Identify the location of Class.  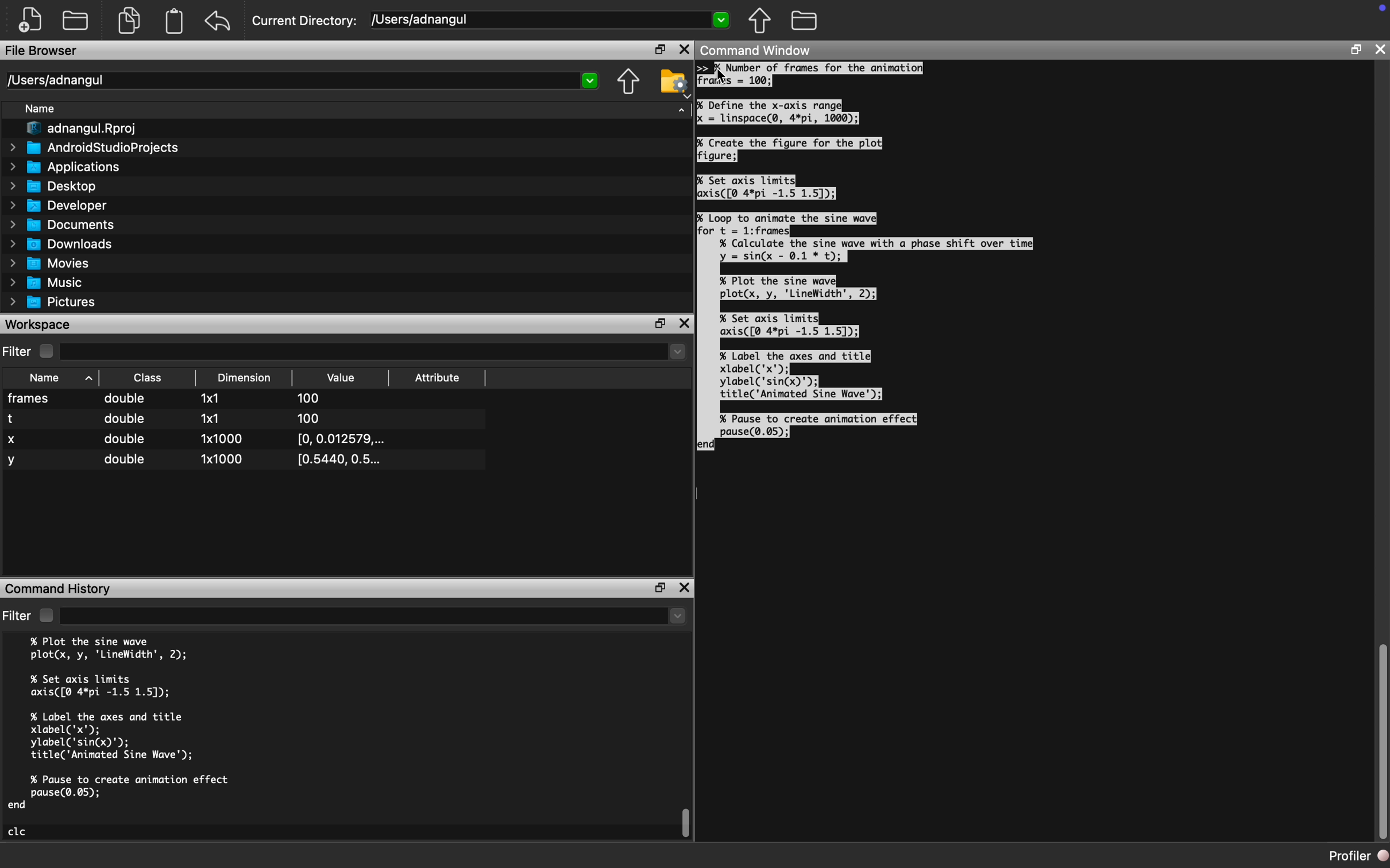
(146, 379).